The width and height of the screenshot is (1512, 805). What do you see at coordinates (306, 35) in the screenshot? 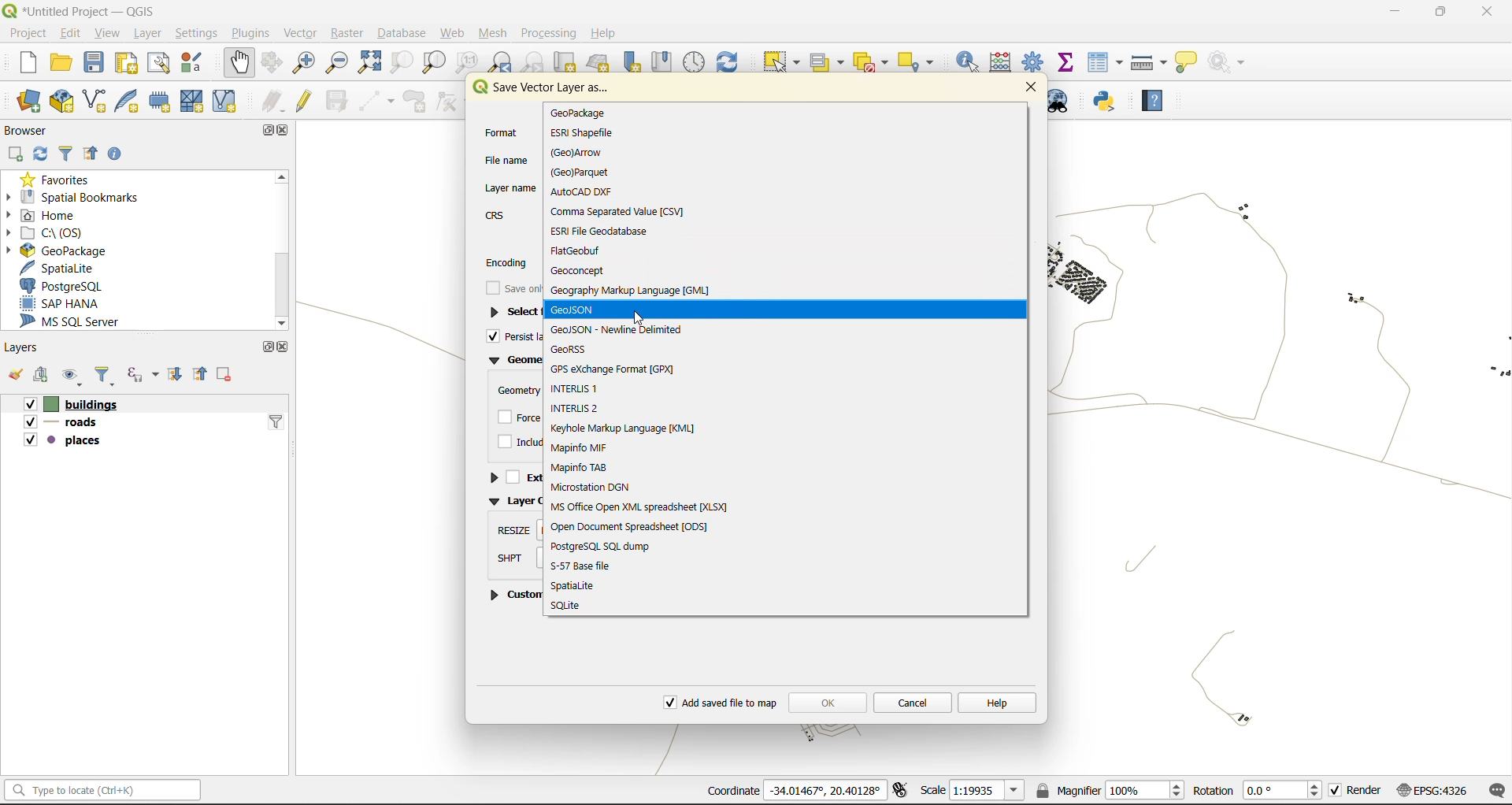
I see `vector` at bounding box center [306, 35].